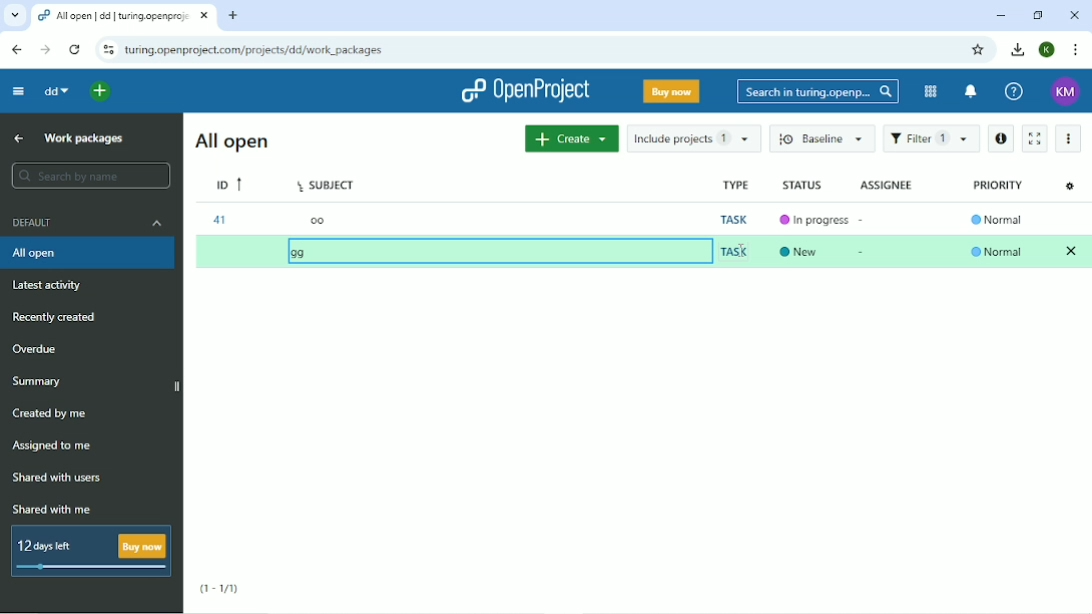 The width and height of the screenshot is (1092, 614). Describe the element at coordinates (84, 140) in the screenshot. I see `Work packages` at that location.